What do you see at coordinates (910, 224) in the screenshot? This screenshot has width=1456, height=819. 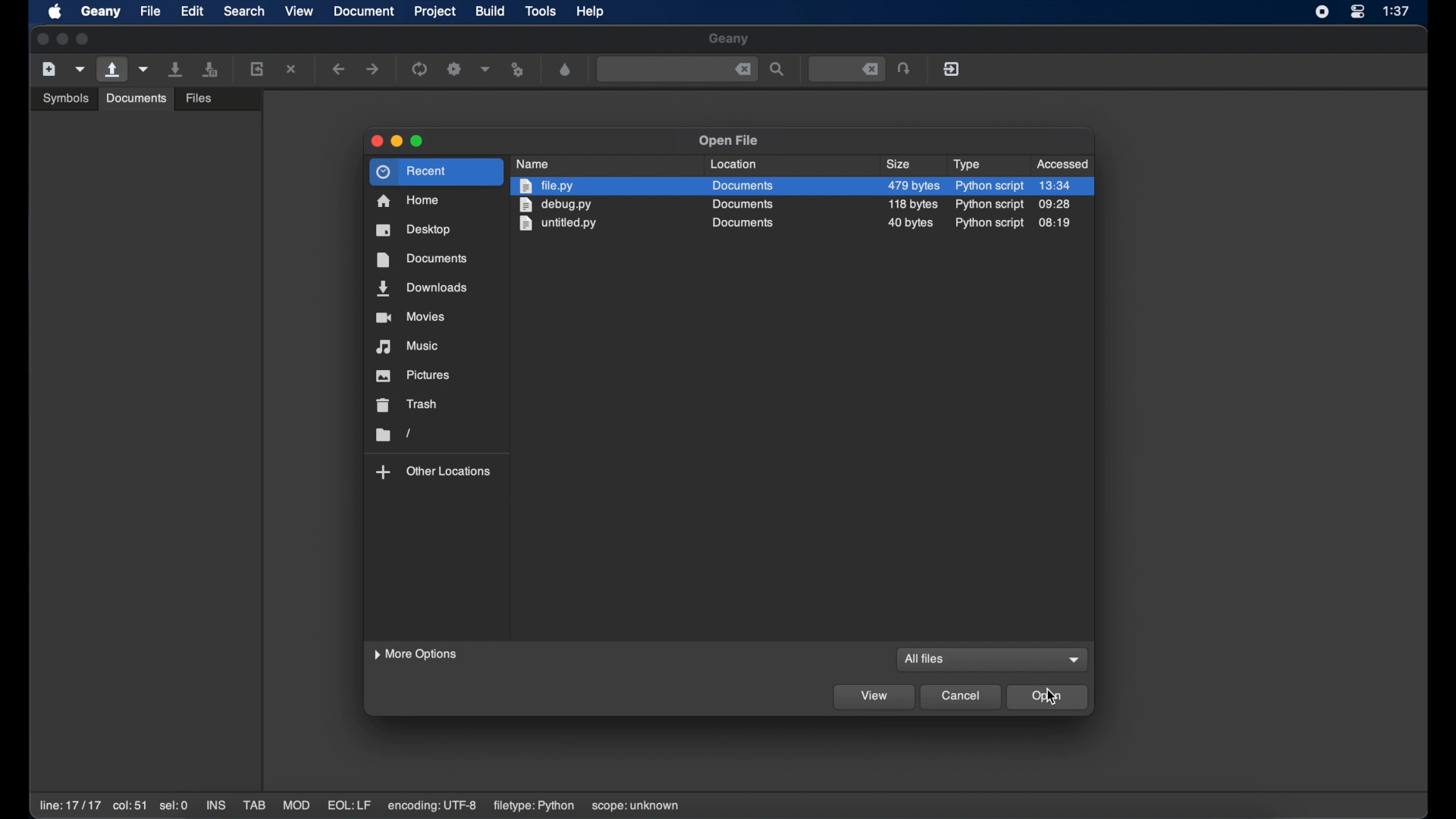 I see `40 bytes` at bounding box center [910, 224].